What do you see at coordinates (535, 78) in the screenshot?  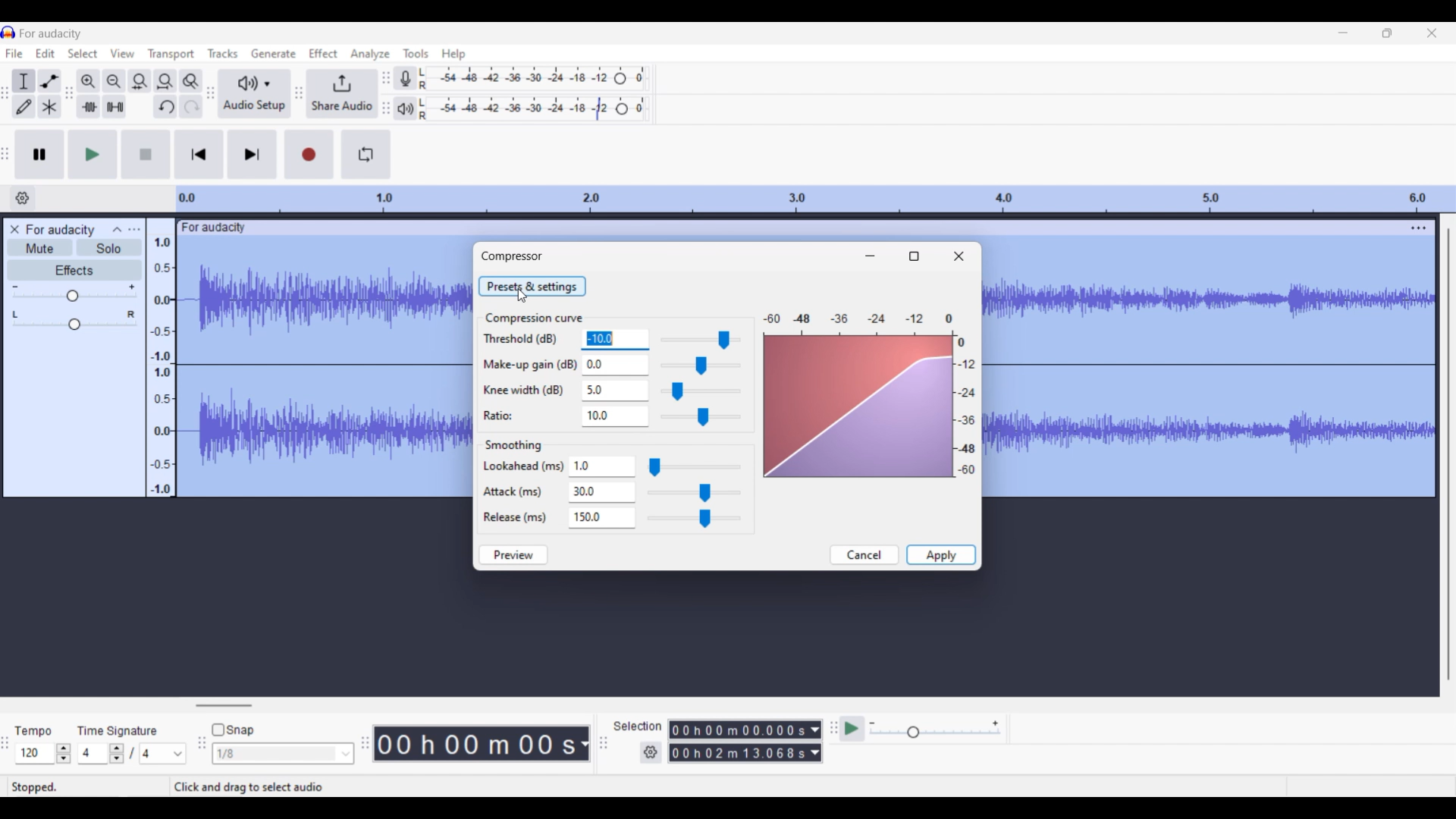 I see `Recording level` at bounding box center [535, 78].